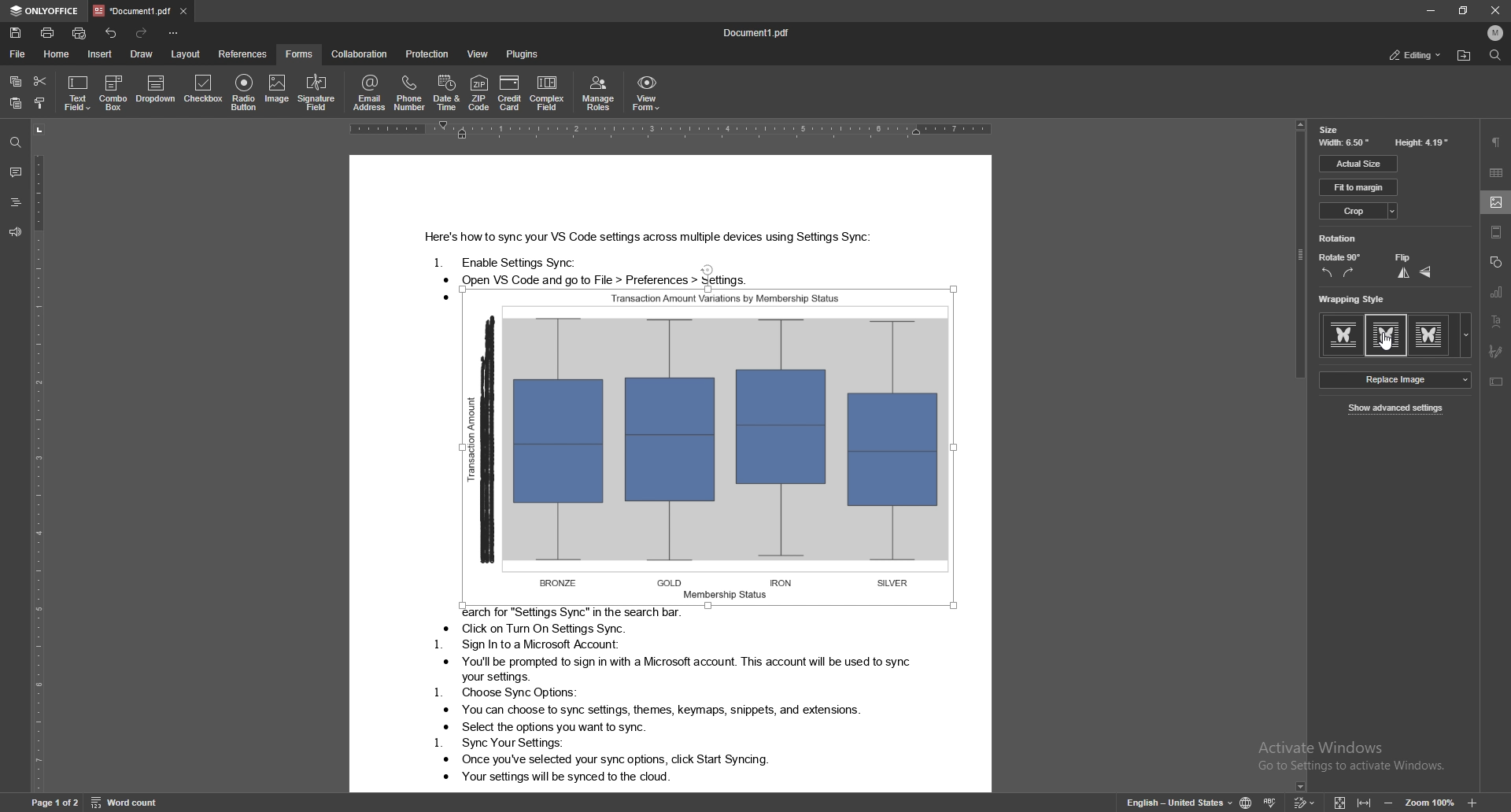 The width and height of the screenshot is (1511, 812). I want to click on horizontal scale, so click(668, 131).